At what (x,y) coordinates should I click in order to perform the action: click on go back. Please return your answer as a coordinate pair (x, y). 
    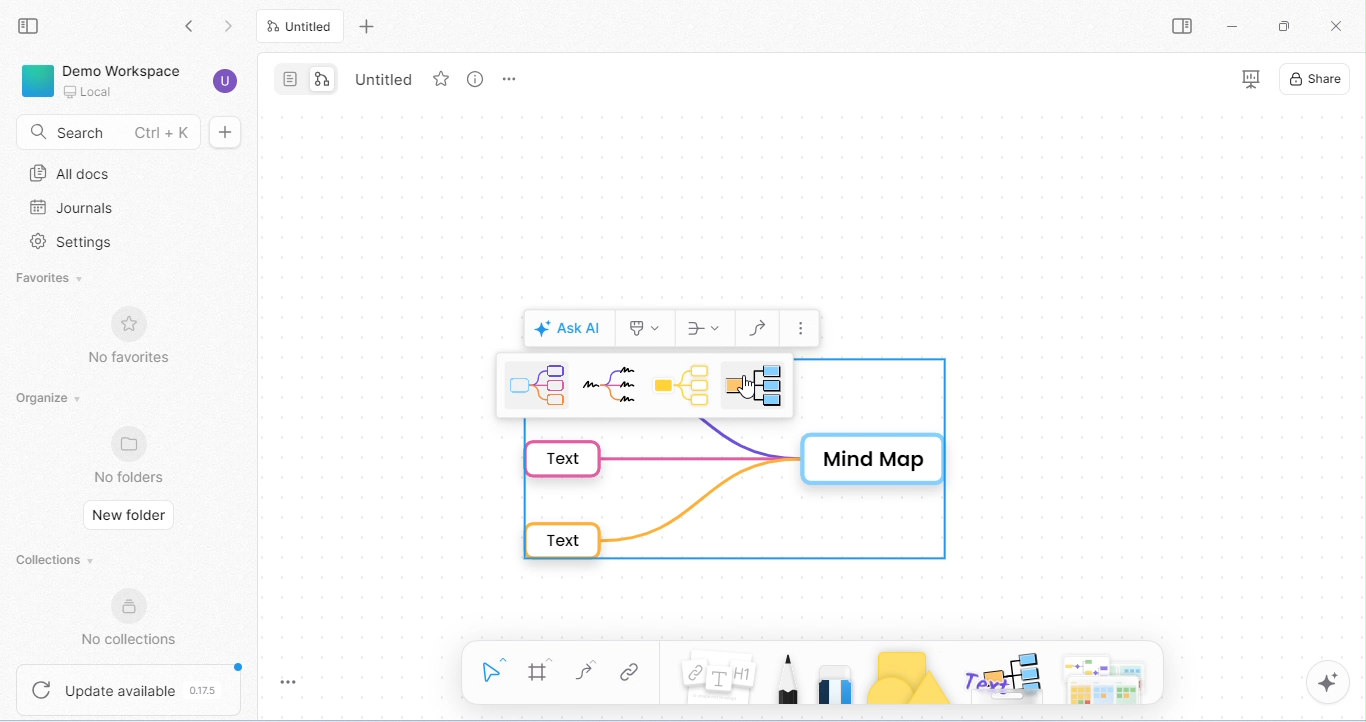
    Looking at the image, I should click on (192, 27).